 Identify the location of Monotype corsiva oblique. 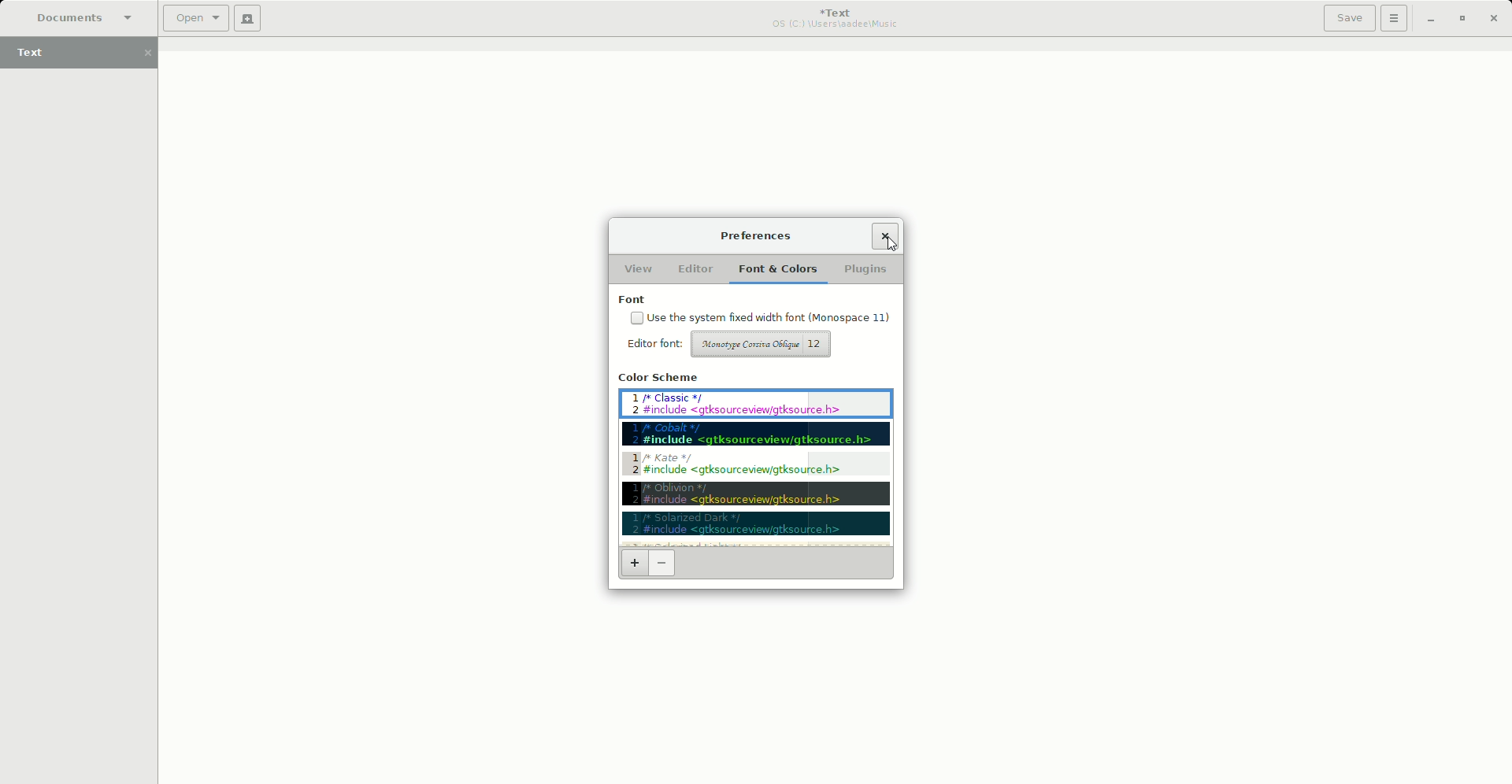
(764, 343).